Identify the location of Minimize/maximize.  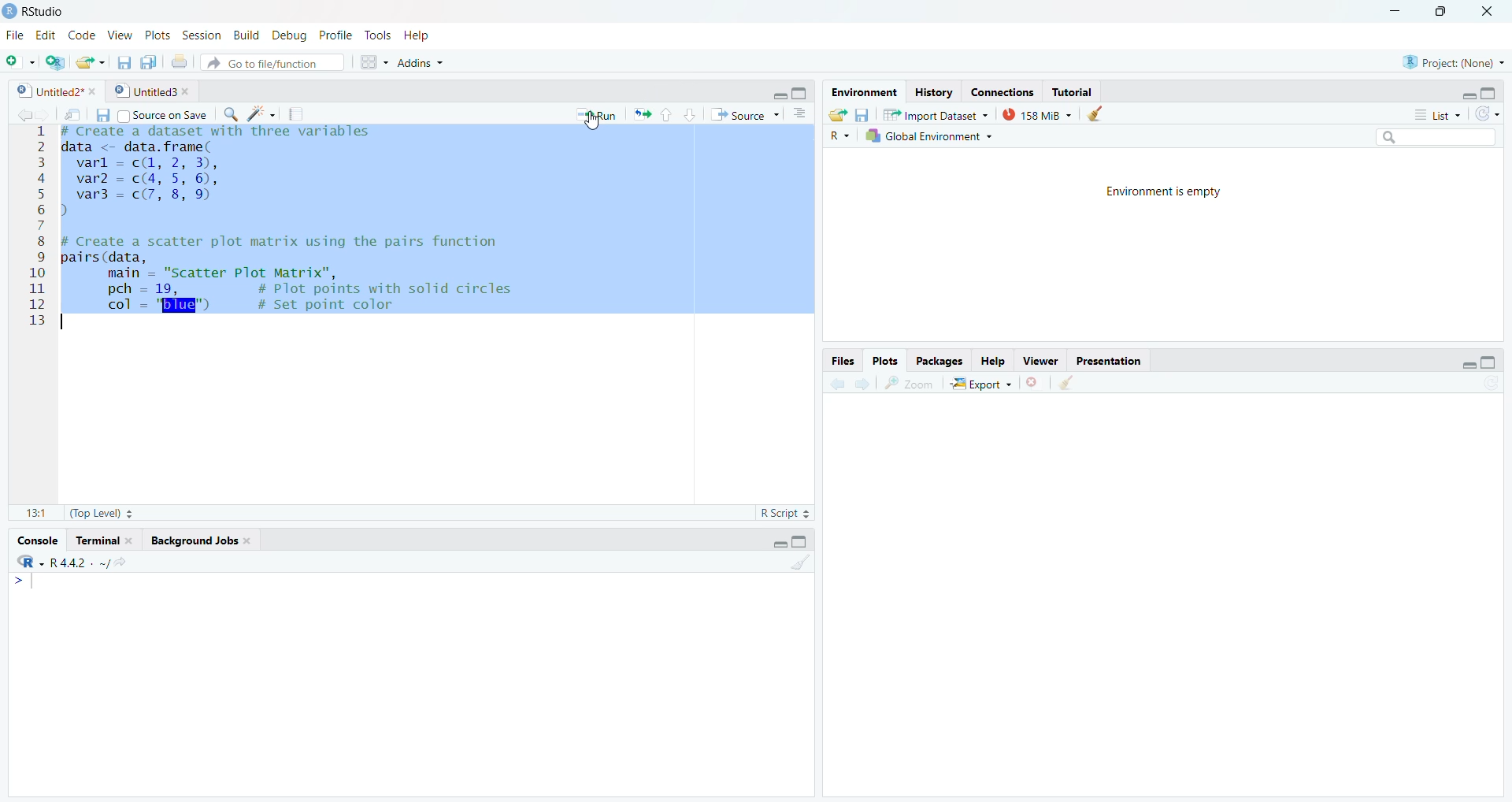
(1475, 360).